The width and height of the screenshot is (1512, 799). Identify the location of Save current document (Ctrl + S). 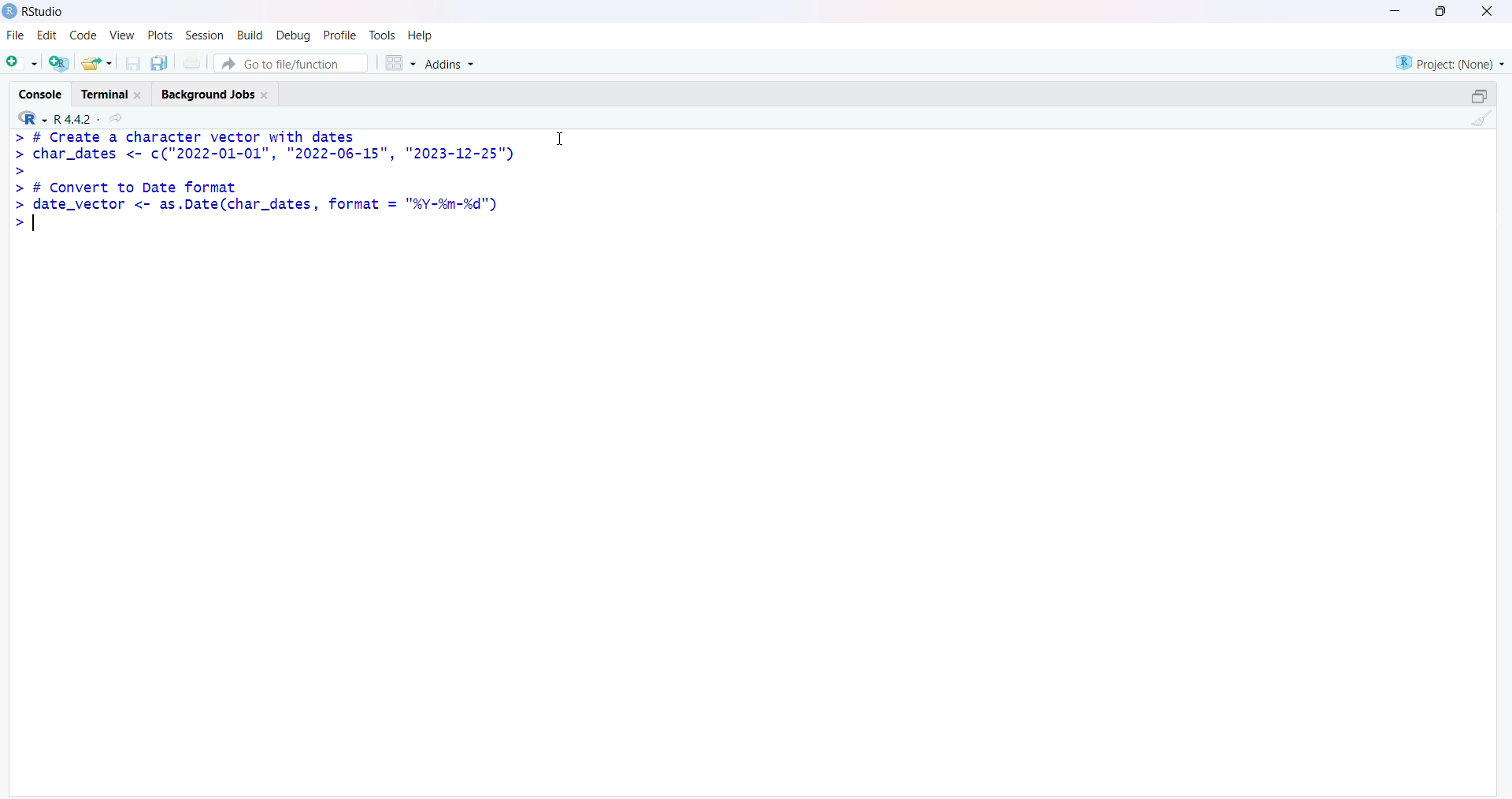
(136, 60).